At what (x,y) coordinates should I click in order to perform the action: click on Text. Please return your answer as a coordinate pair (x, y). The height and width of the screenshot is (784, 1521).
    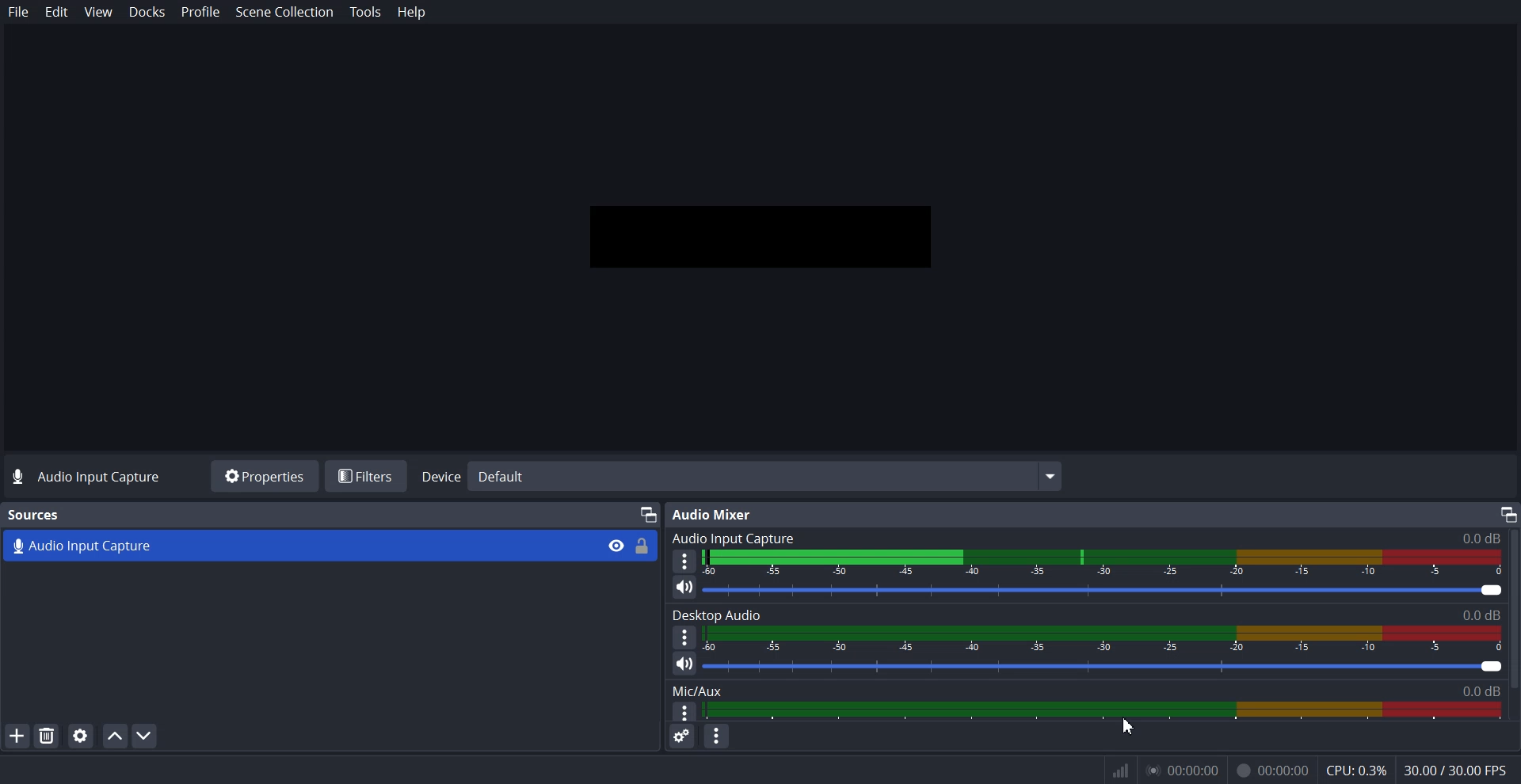
    Looking at the image, I should click on (35, 515).